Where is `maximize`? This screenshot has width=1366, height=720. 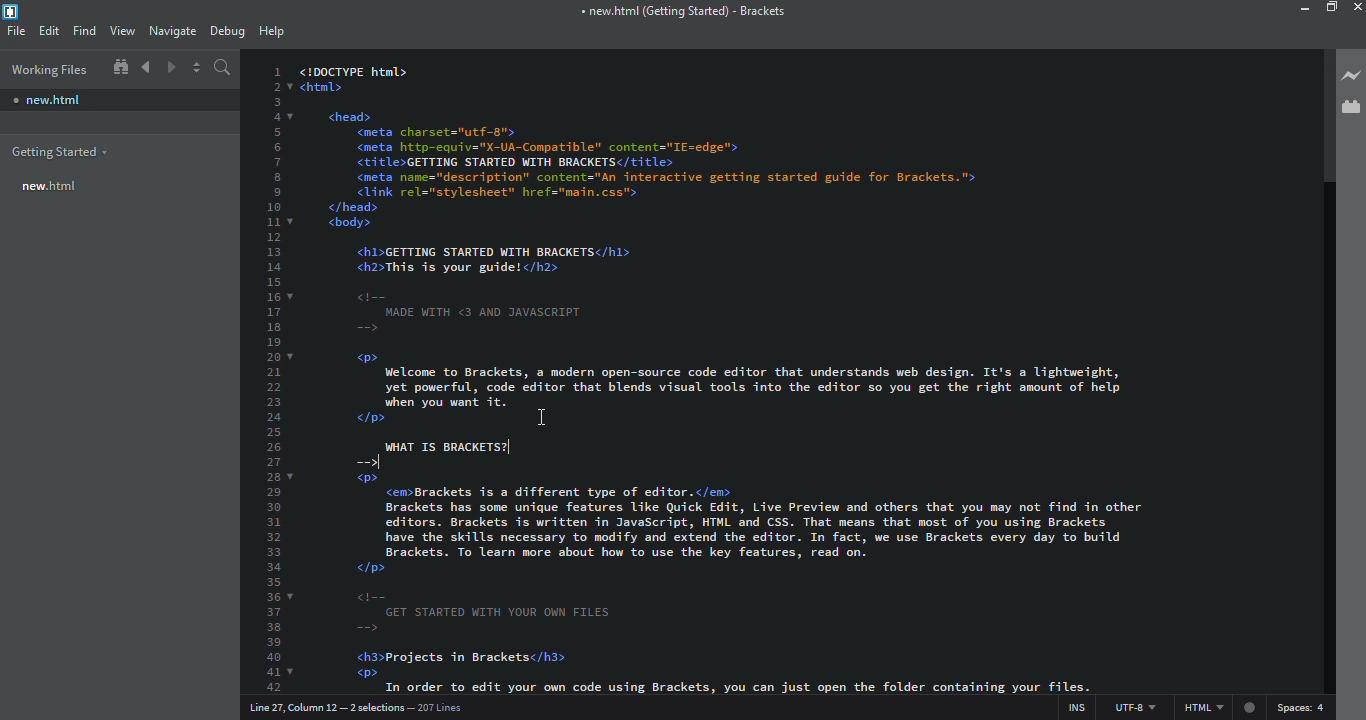
maximize is located at coordinates (1331, 7).